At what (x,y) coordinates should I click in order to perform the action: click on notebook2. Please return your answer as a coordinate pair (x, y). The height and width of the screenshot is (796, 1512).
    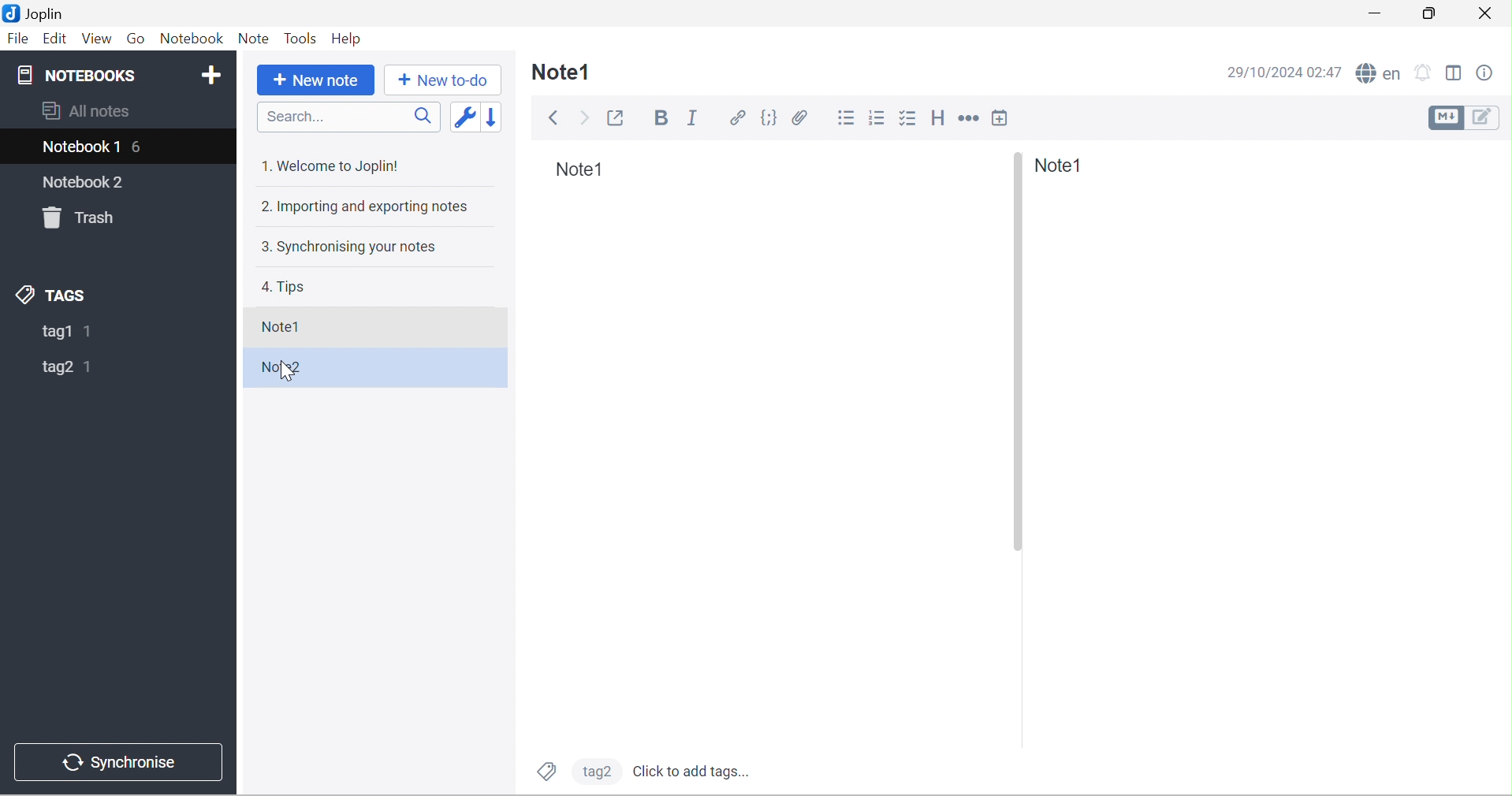
    Looking at the image, I should click on (77, 182).